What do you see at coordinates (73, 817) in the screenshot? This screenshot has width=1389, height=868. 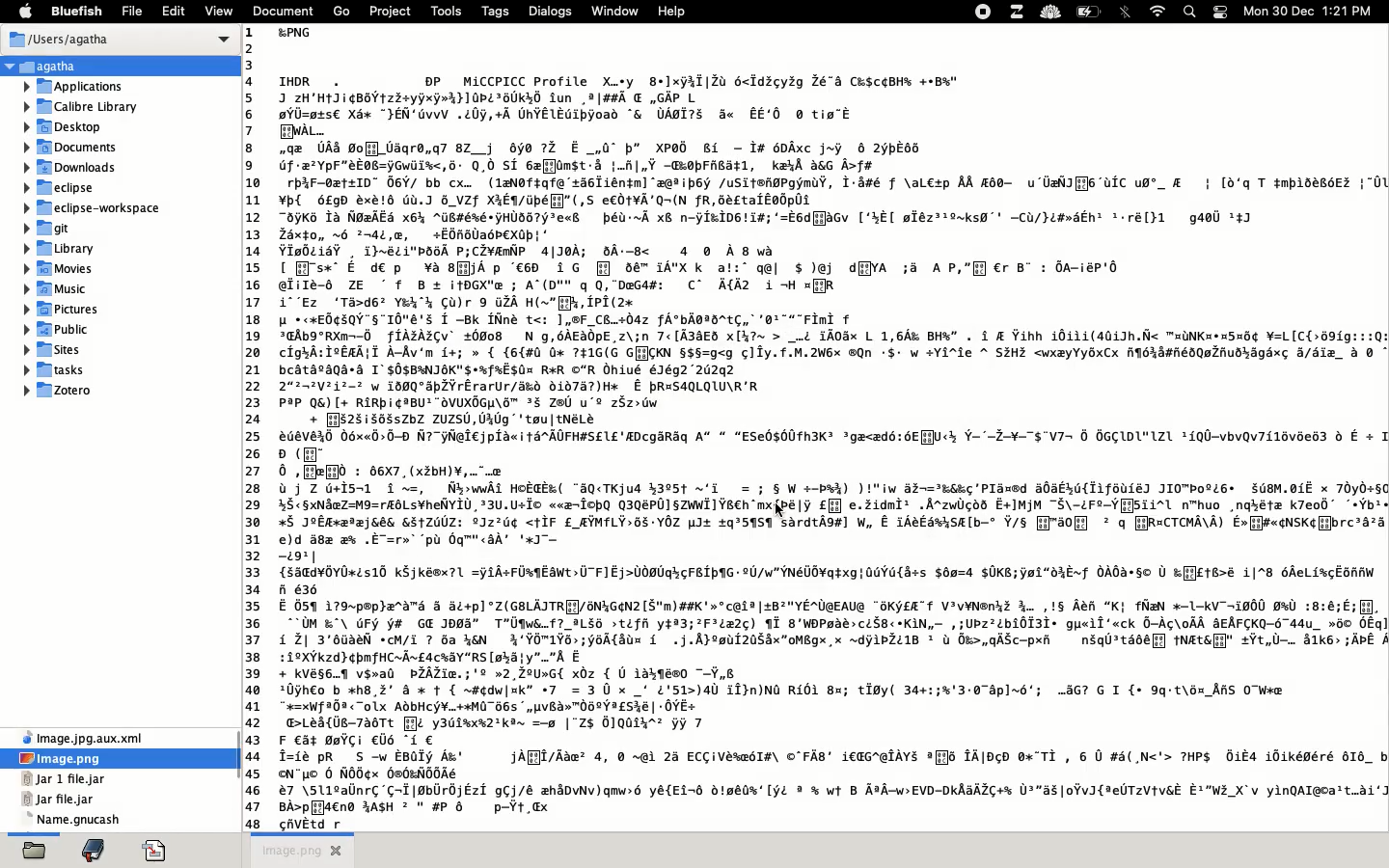 I see `file name and extension` at bounding box center [73, 817].